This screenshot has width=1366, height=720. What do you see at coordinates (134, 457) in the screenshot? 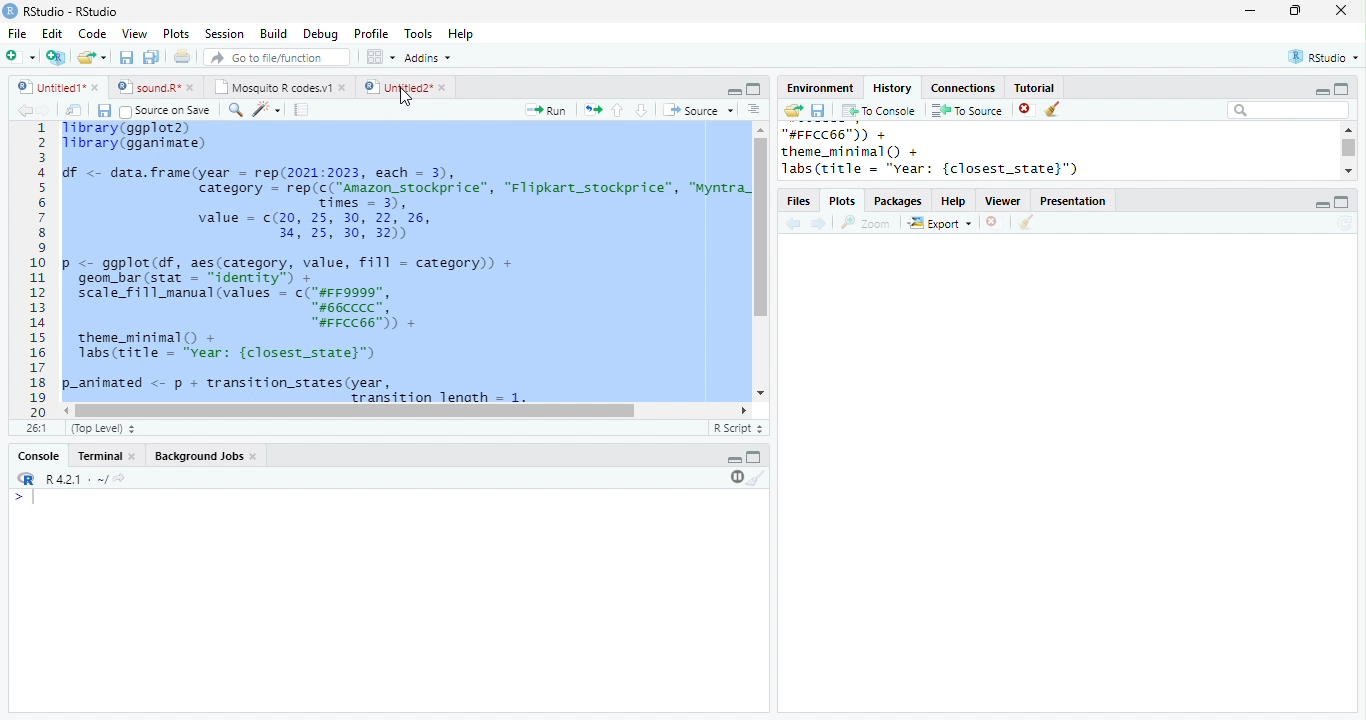
I see `close` at bounding box center [134, 457].